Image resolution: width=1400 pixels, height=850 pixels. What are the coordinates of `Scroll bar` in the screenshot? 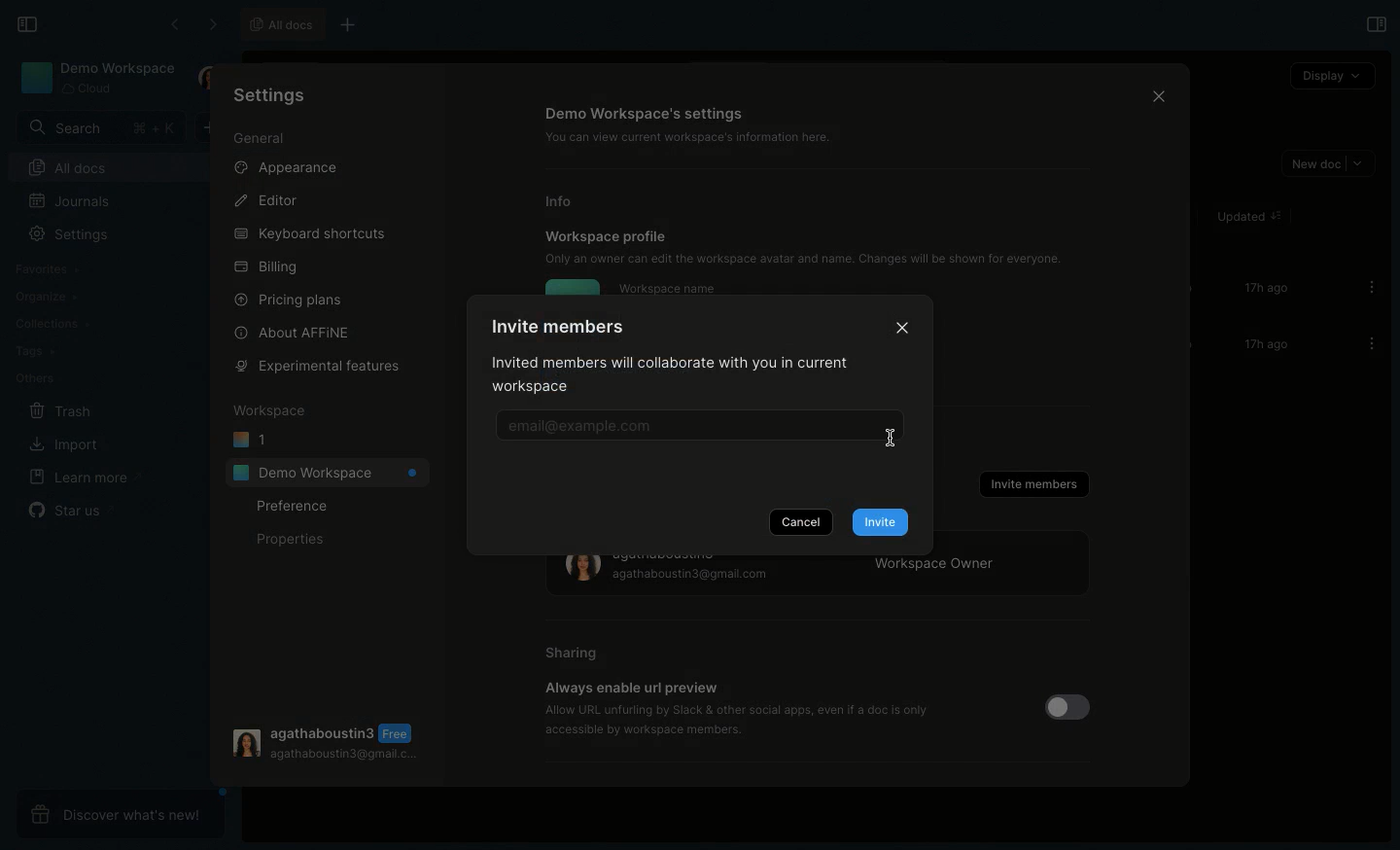 It's located at (1188, 321).